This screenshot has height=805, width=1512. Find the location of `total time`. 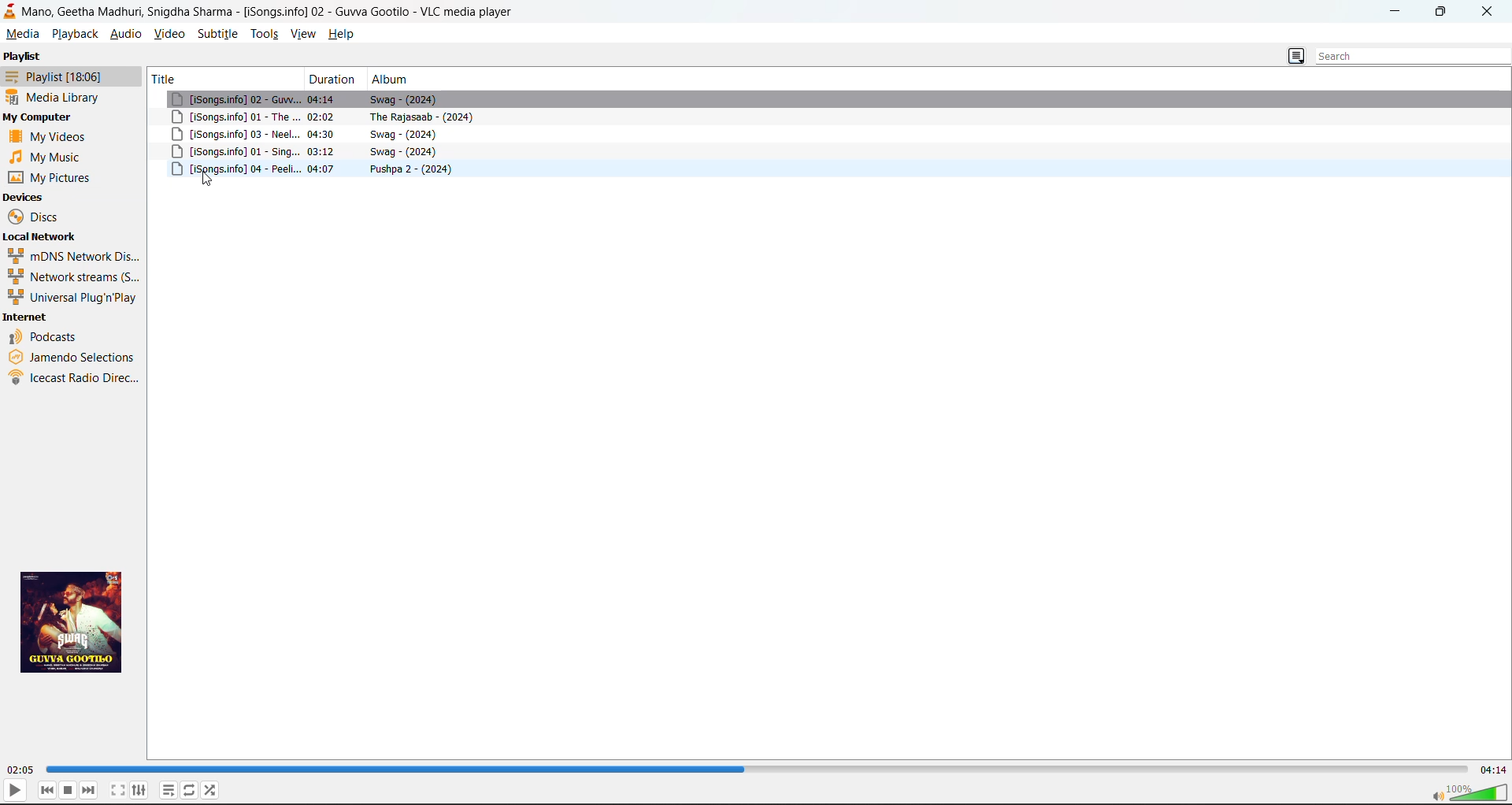

total time is located at coordinates (1493, 770).